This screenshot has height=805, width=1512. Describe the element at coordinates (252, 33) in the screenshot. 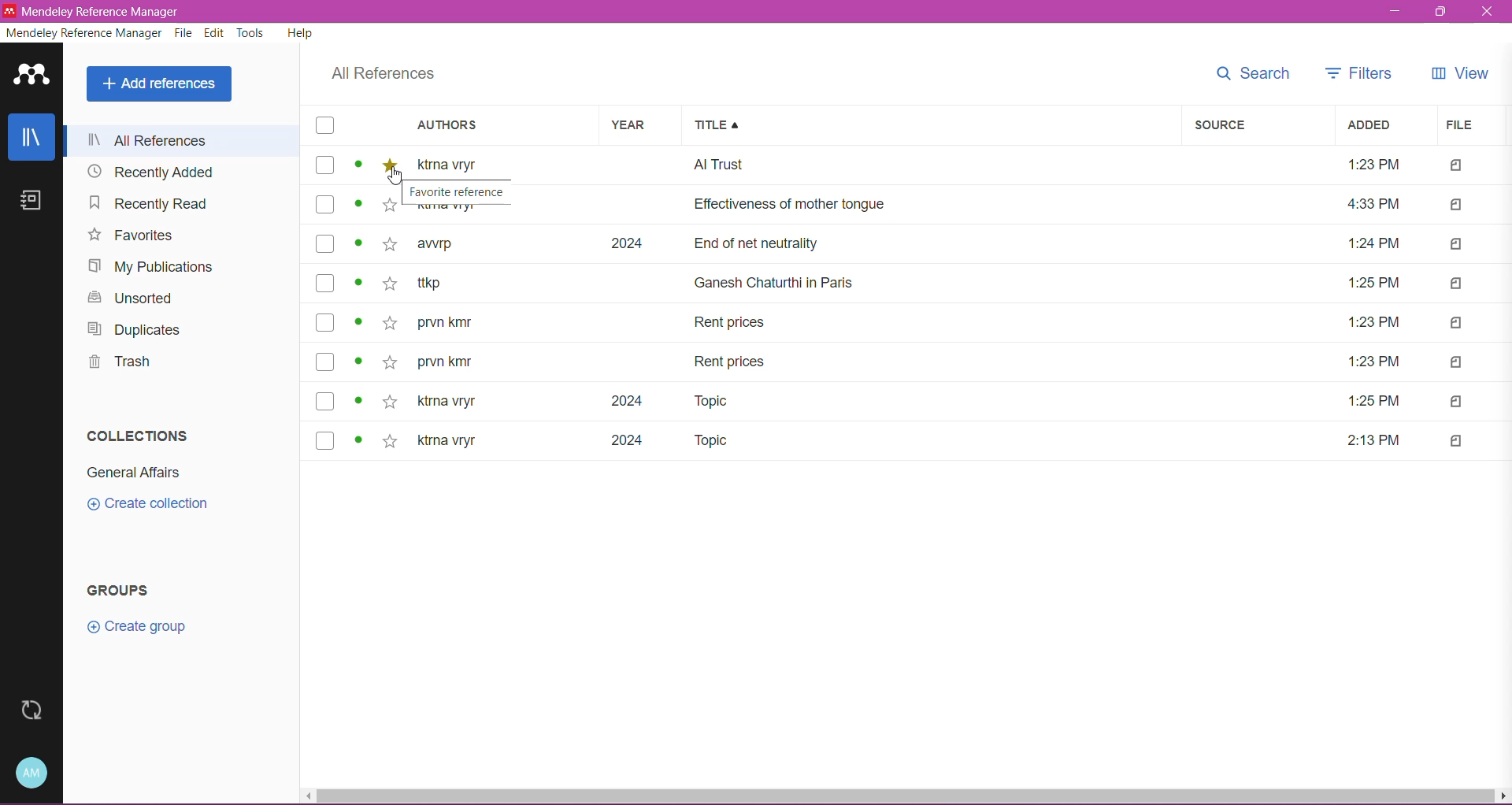

I see `Tools` at that location.